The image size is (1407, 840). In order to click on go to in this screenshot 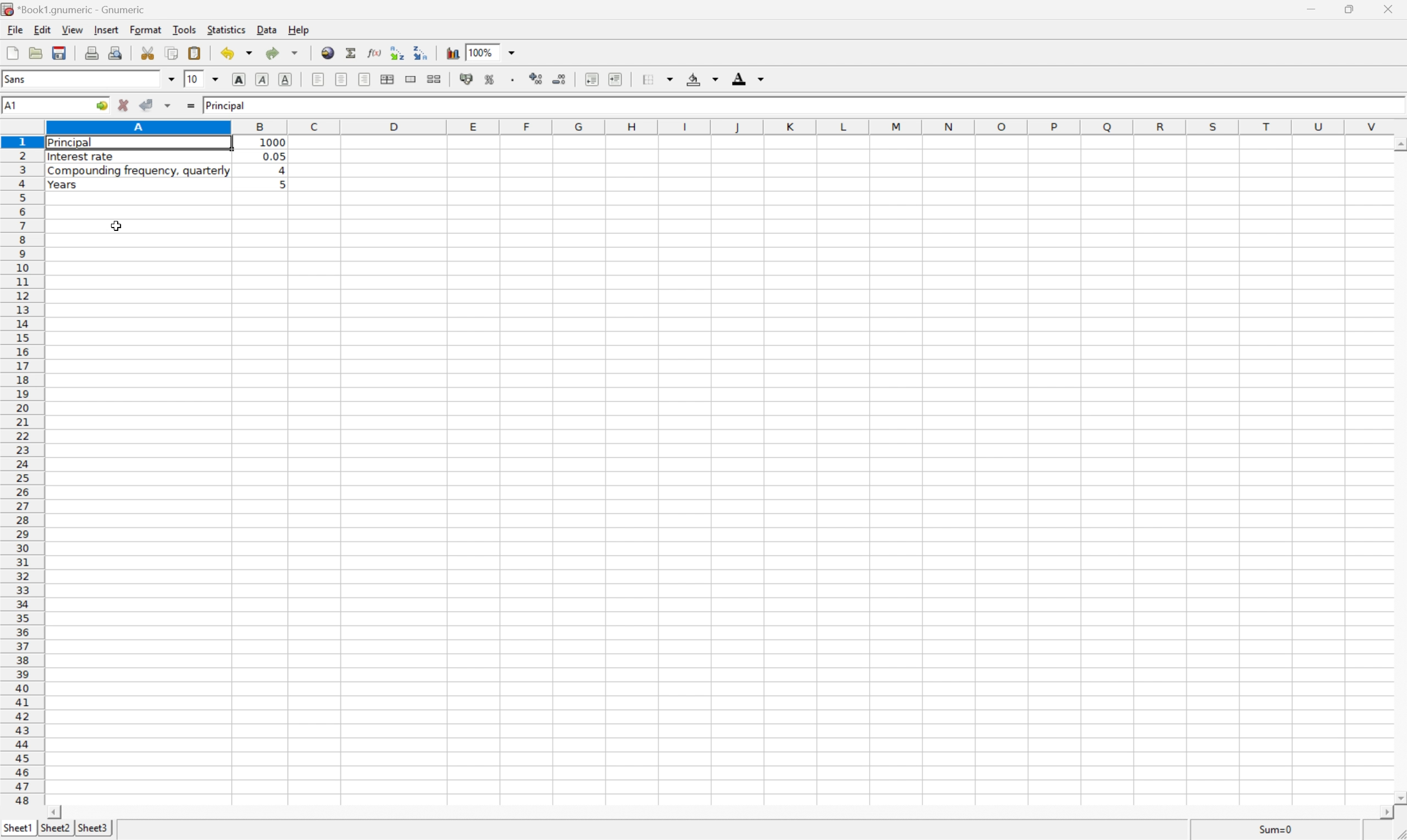, I will do `click(103, 104)`.